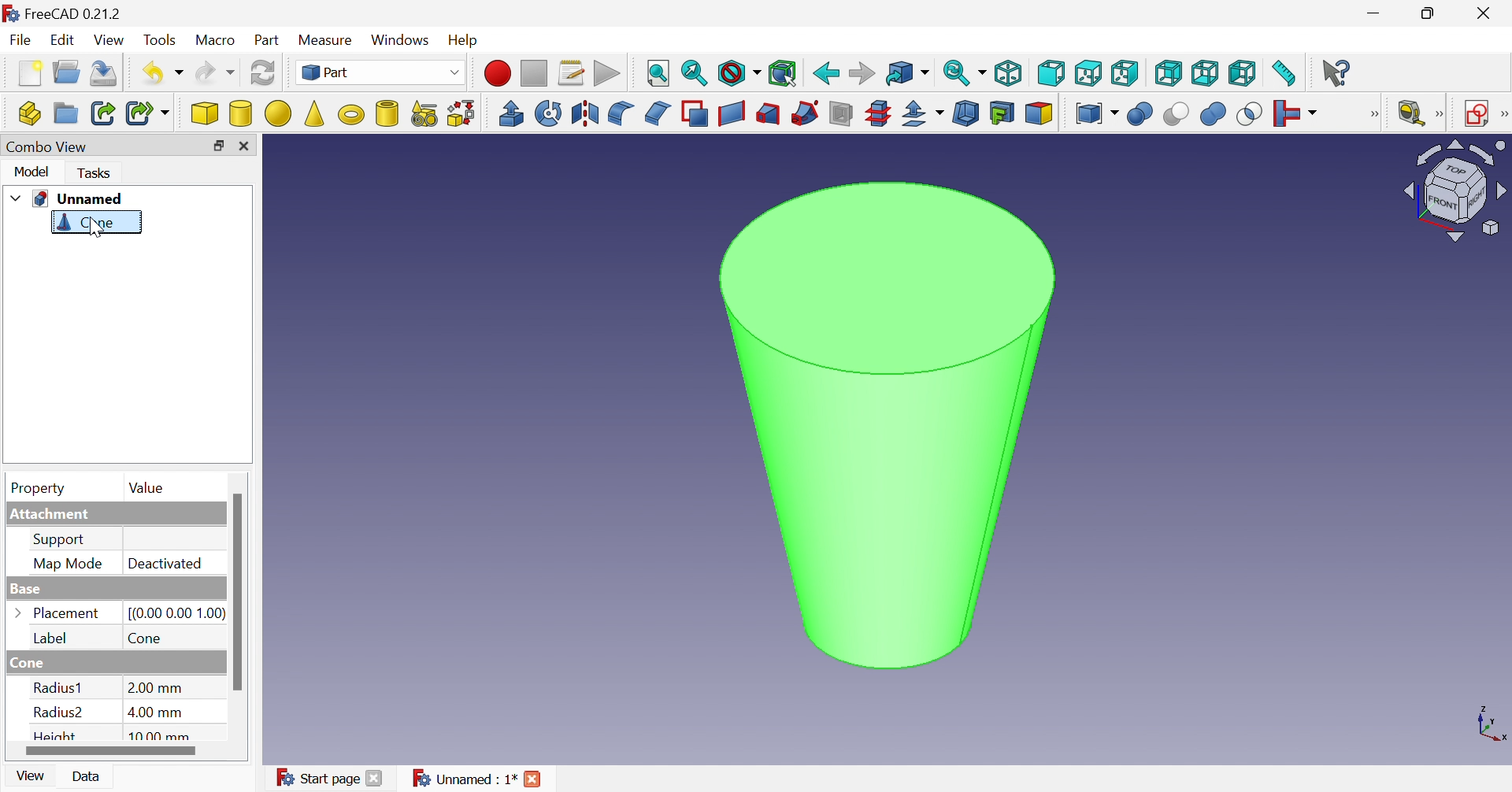 The width and height of the screenshot is (1512, 792). I want to click on Fillet, so click(622, 115).